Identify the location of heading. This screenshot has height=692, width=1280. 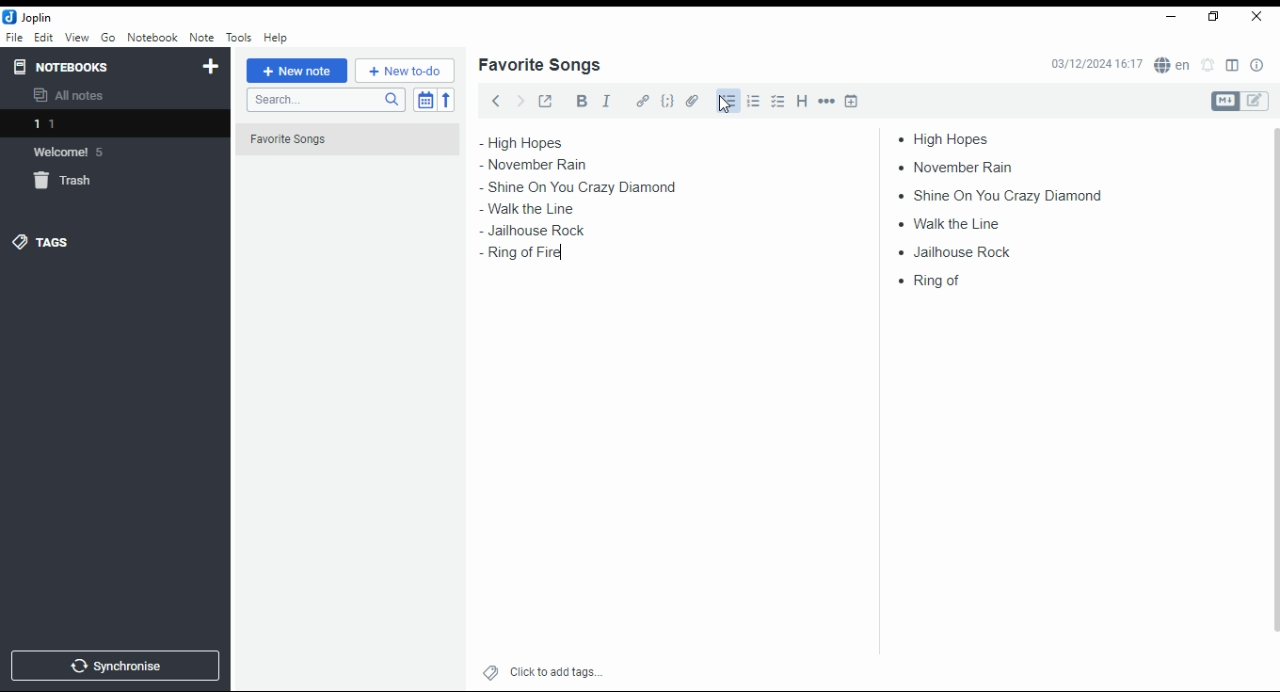
(803, 99).